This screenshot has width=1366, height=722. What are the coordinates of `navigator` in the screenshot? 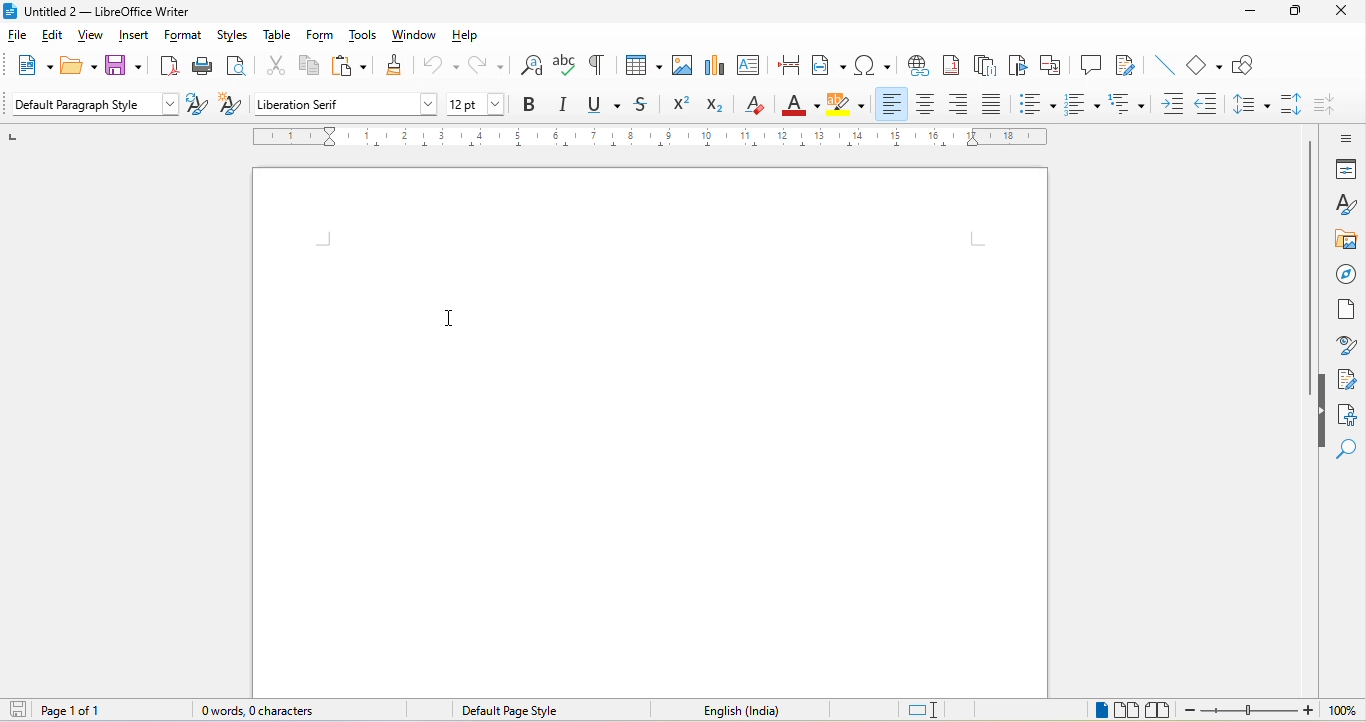 It's located at (1346, 275).